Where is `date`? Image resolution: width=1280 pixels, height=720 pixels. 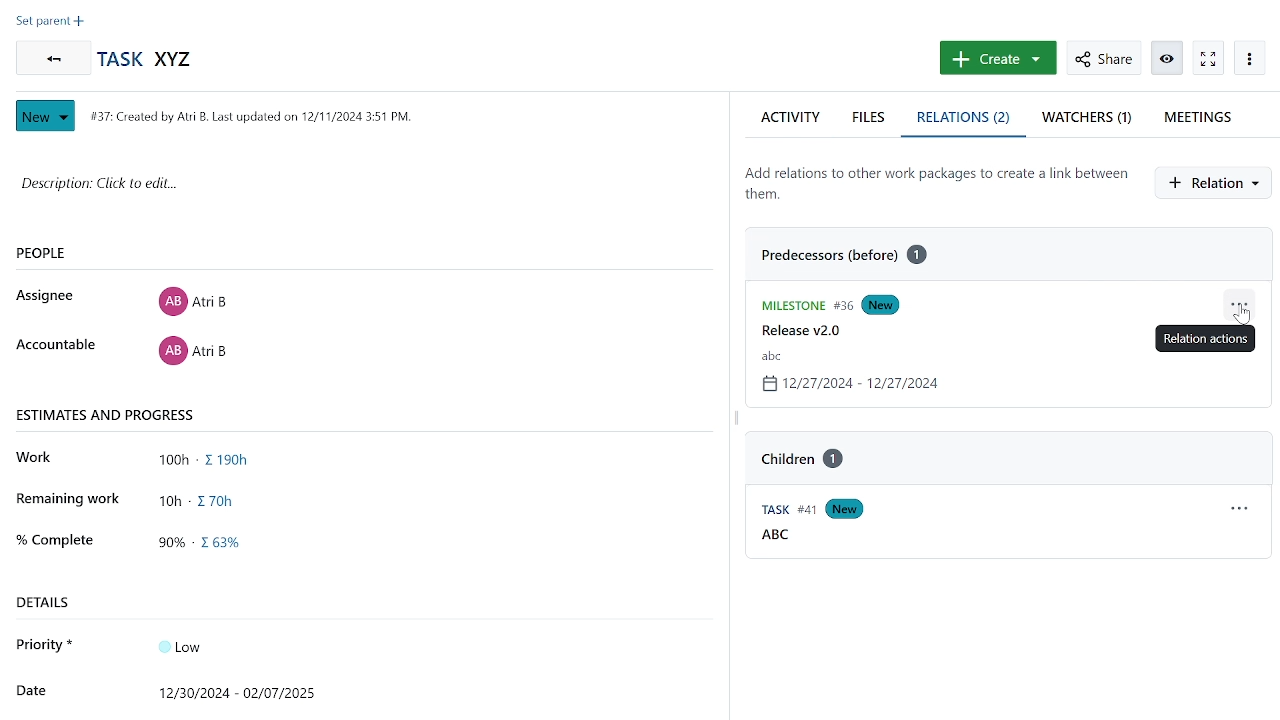 date is located at coordinates (244, 690).